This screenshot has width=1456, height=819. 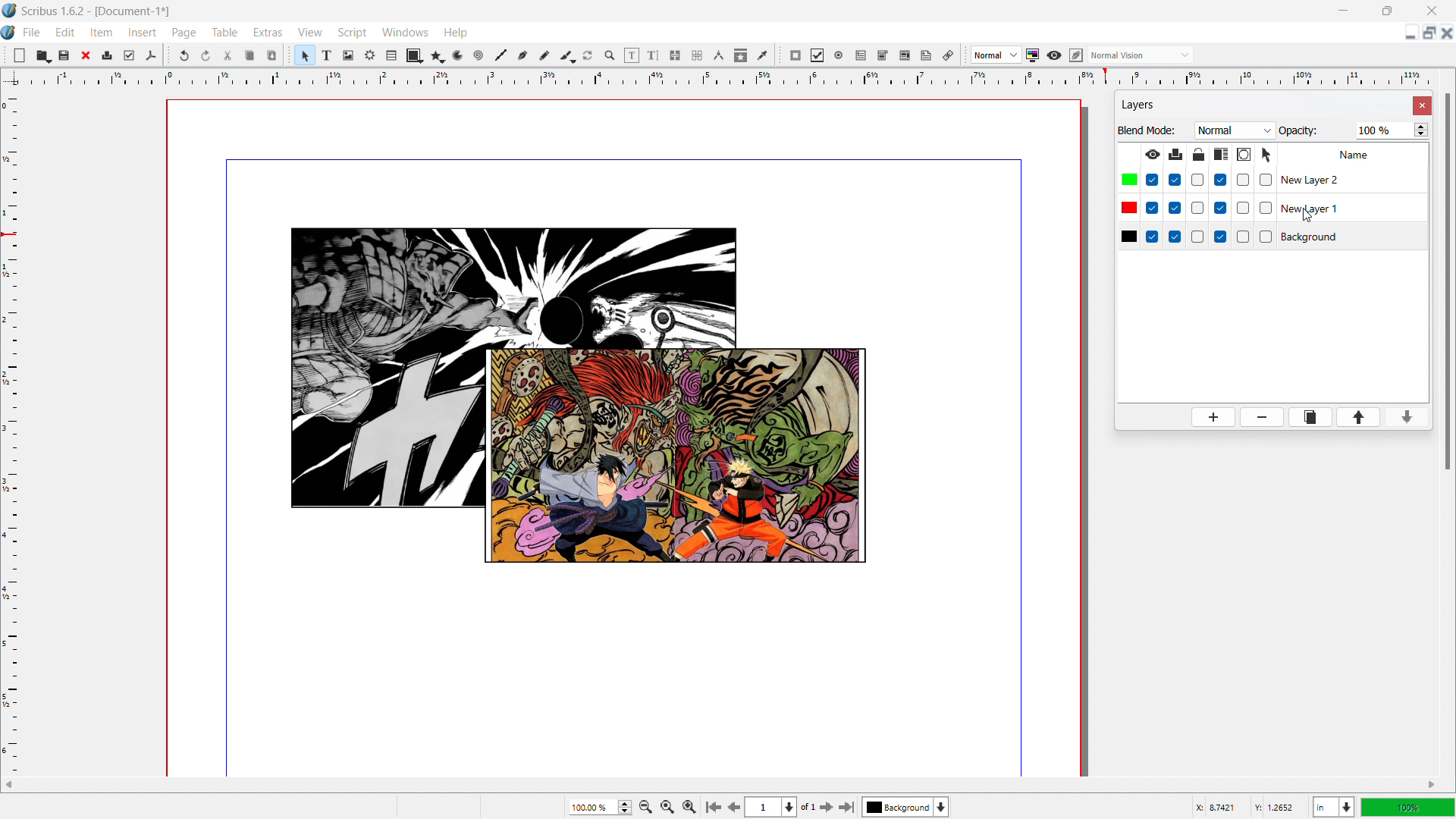 What do you see at coordinates (948, 55) in the screenshot?
I see `link the annotation` at bounding box center [948, 55].